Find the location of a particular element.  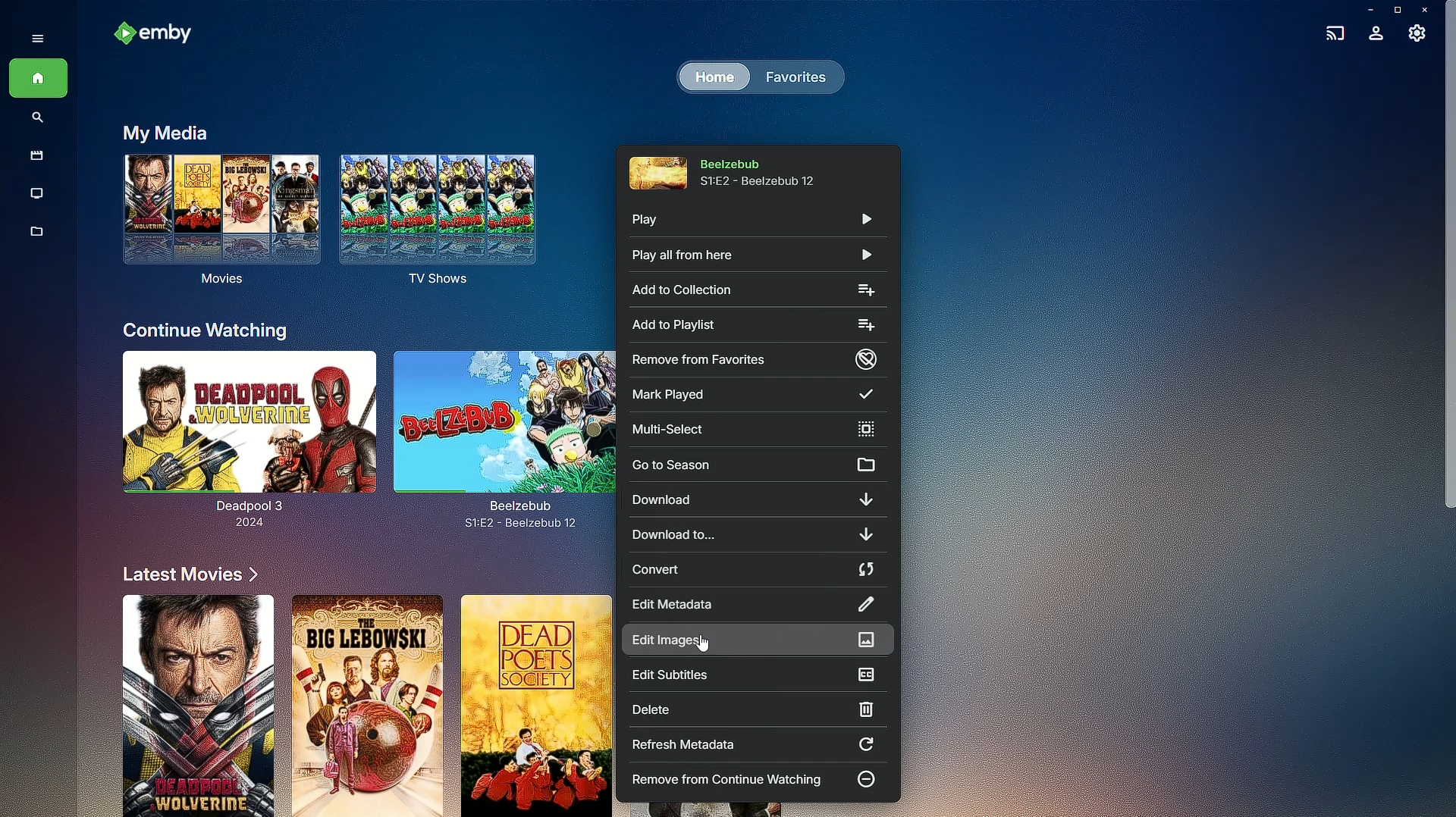

Continue Watching is located at coordinates (206, 330).